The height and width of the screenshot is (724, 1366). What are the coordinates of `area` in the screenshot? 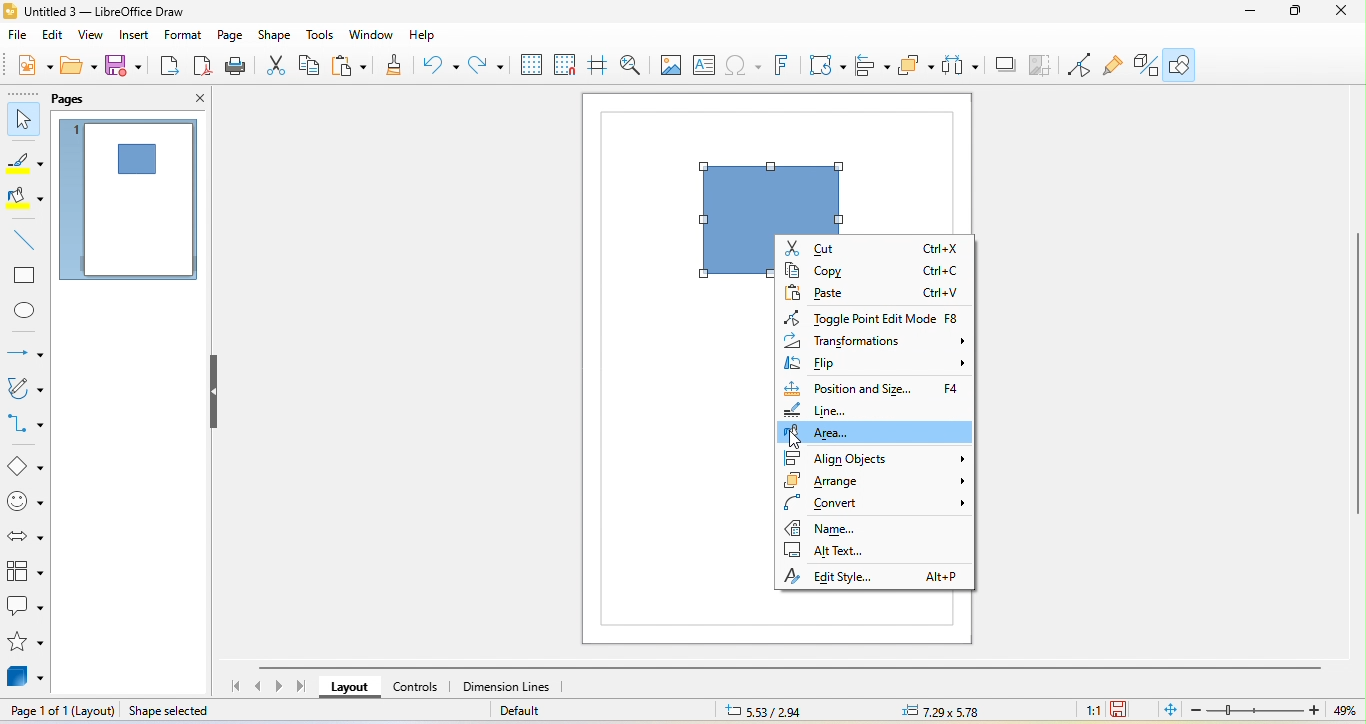 It's located at (876, 436).